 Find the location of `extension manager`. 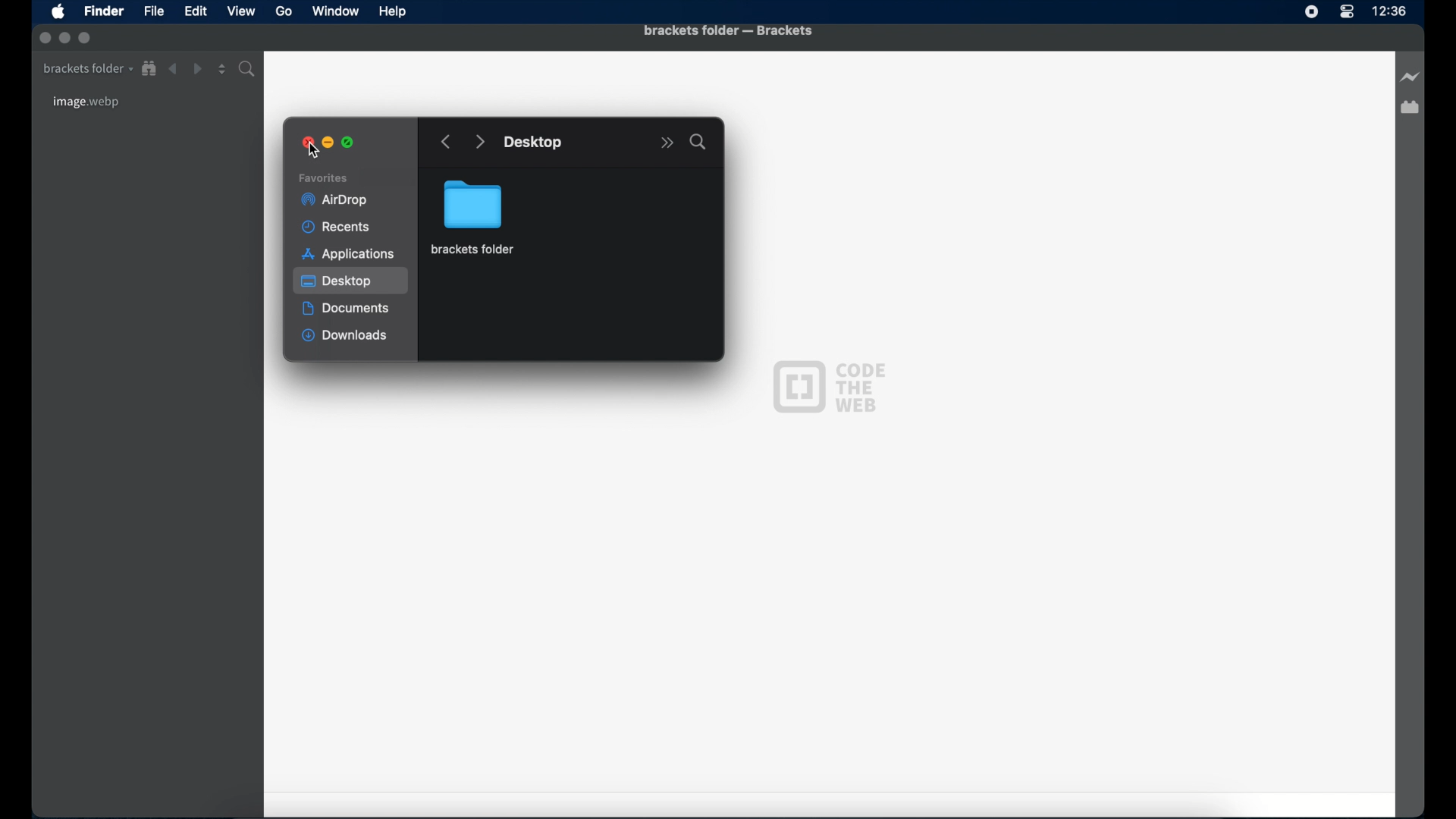

extension manager is located at coordinates (1410, 108).